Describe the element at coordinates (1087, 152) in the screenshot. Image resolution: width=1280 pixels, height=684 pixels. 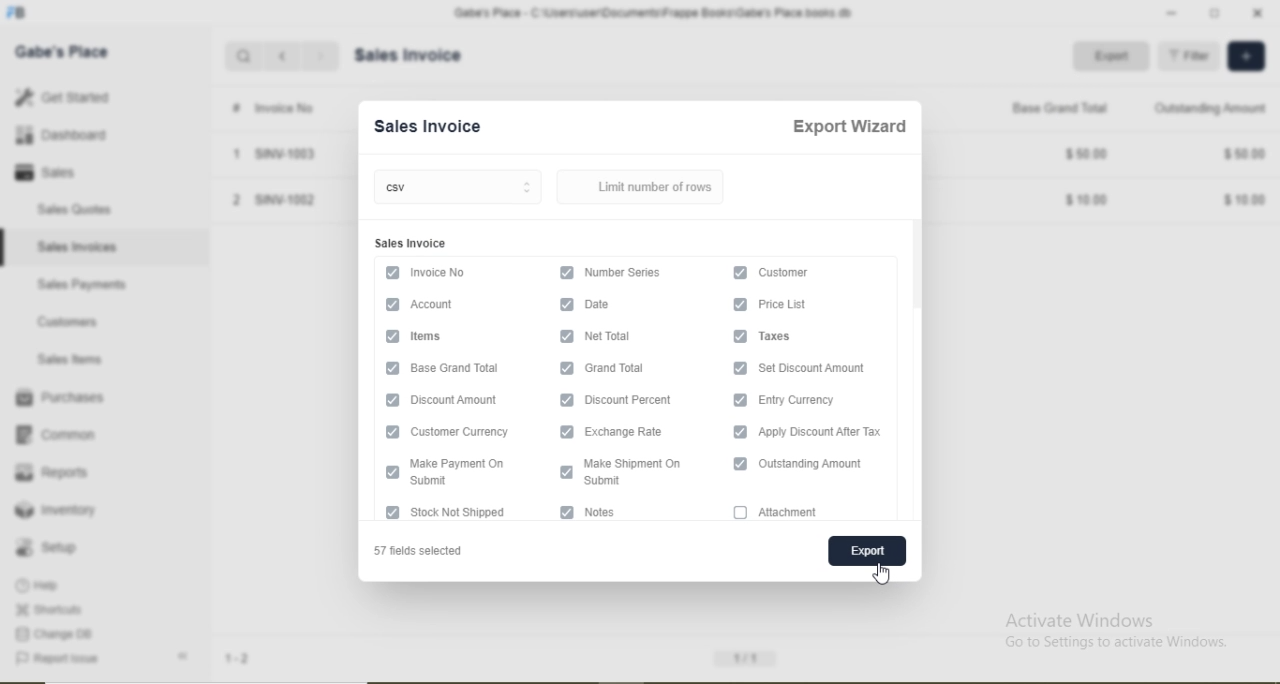
I see `$5000` at that location.